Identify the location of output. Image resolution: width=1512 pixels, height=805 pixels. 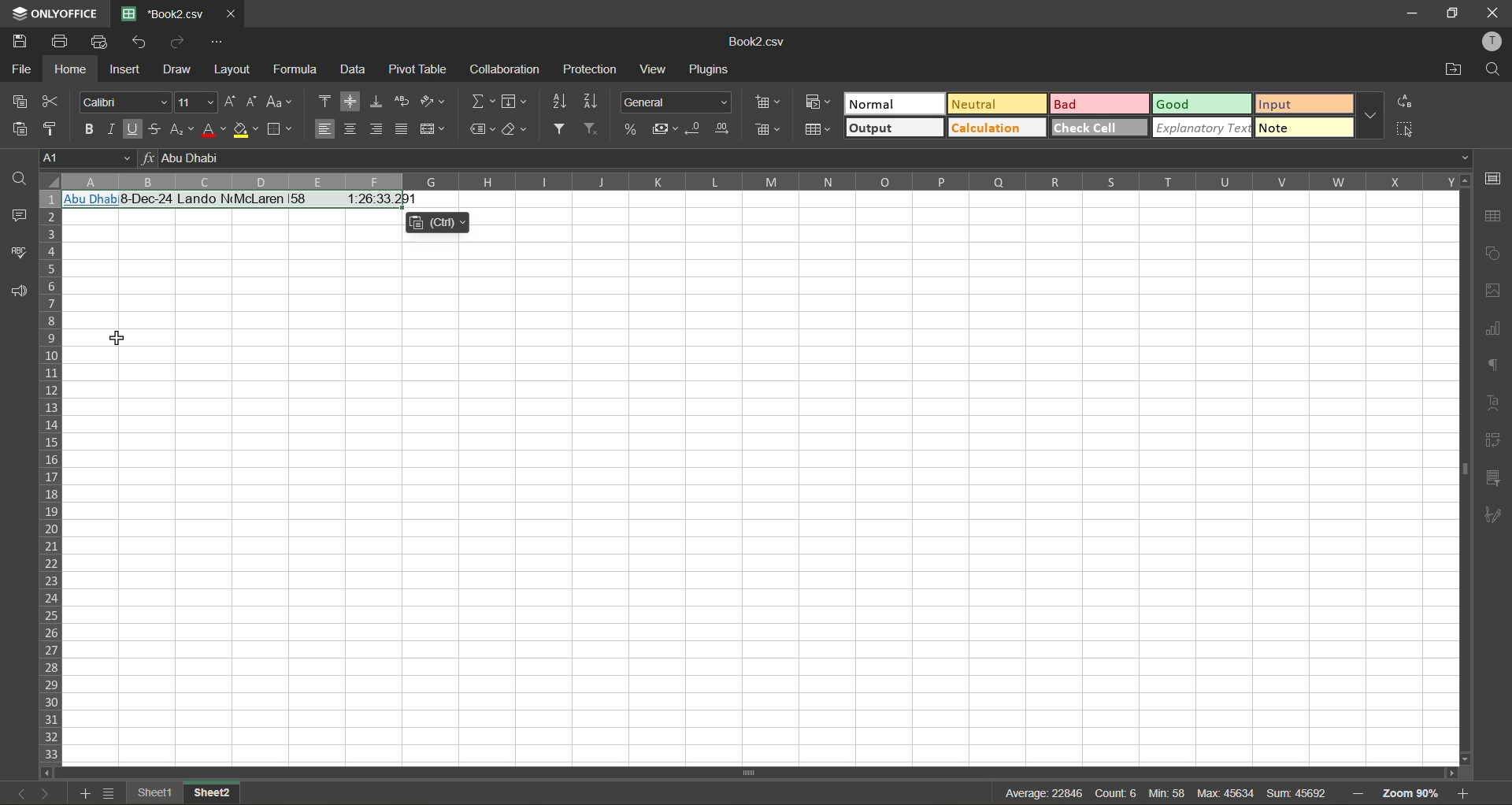
(895, 129).